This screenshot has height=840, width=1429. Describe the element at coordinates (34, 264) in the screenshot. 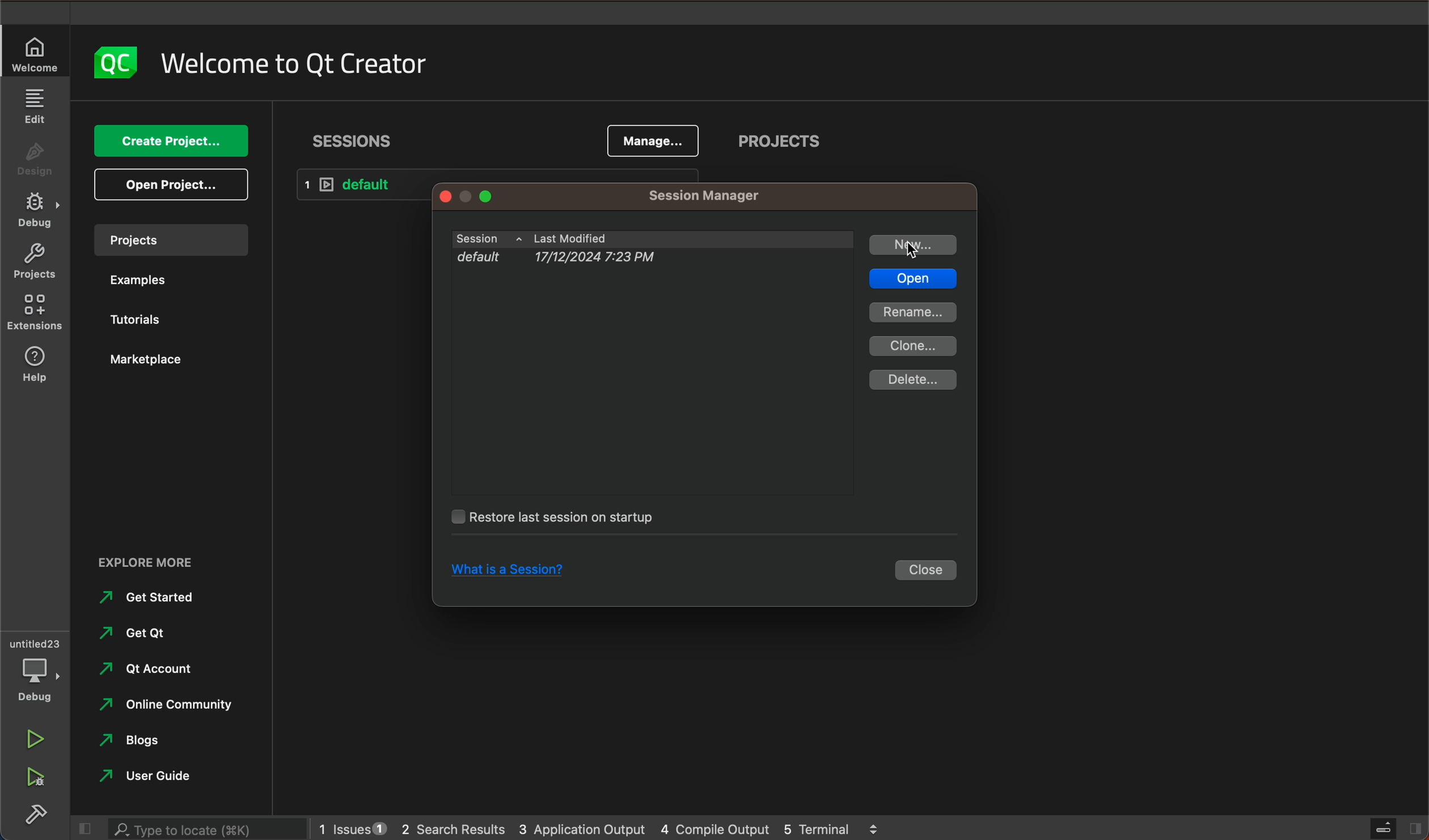

I see `Project ` at that location.